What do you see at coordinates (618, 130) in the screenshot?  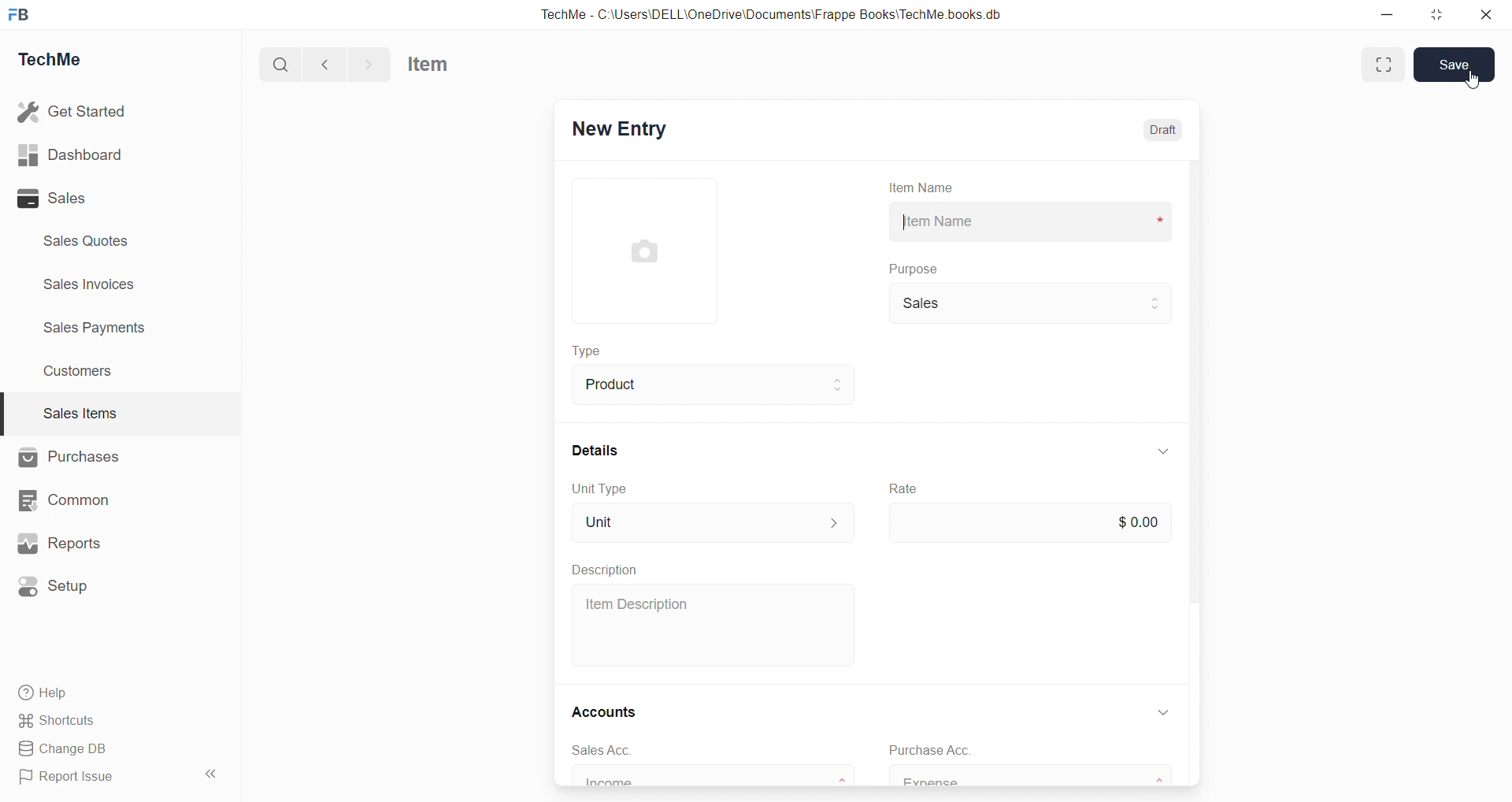 I see `New Entry` at bounding box center [618, 130].